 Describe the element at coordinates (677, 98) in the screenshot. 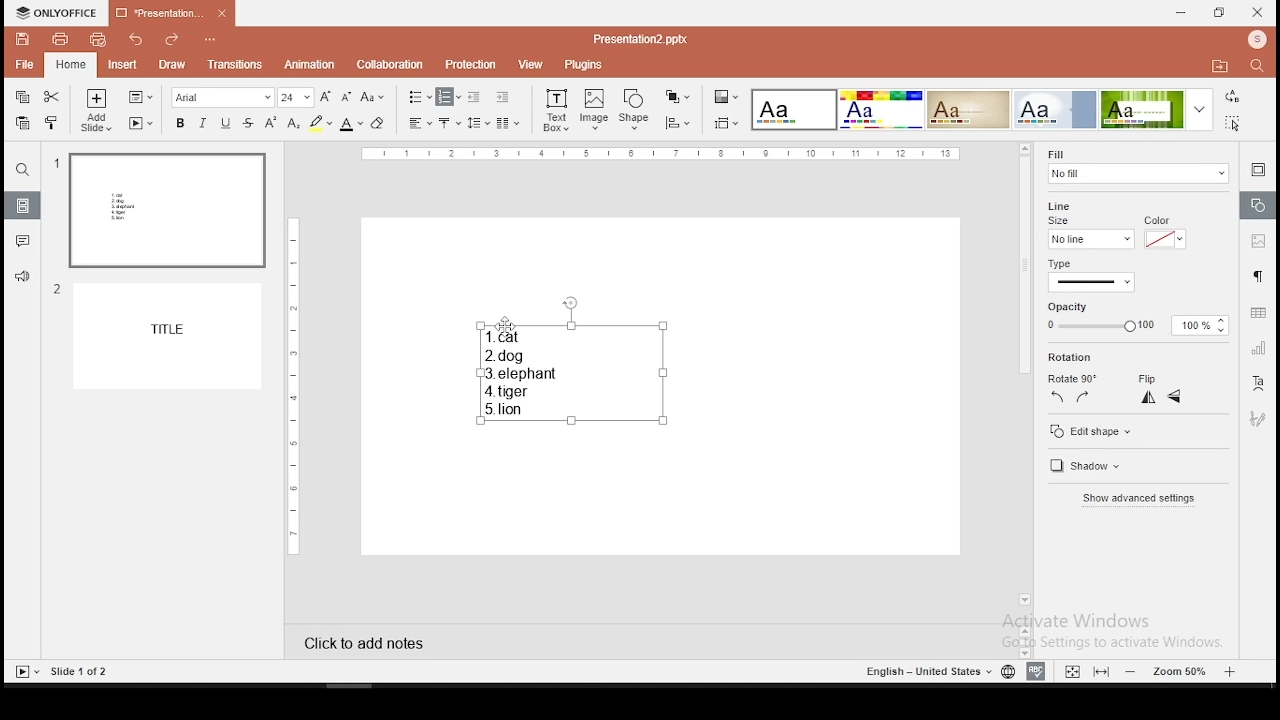

I see `arrange objects` at that location.